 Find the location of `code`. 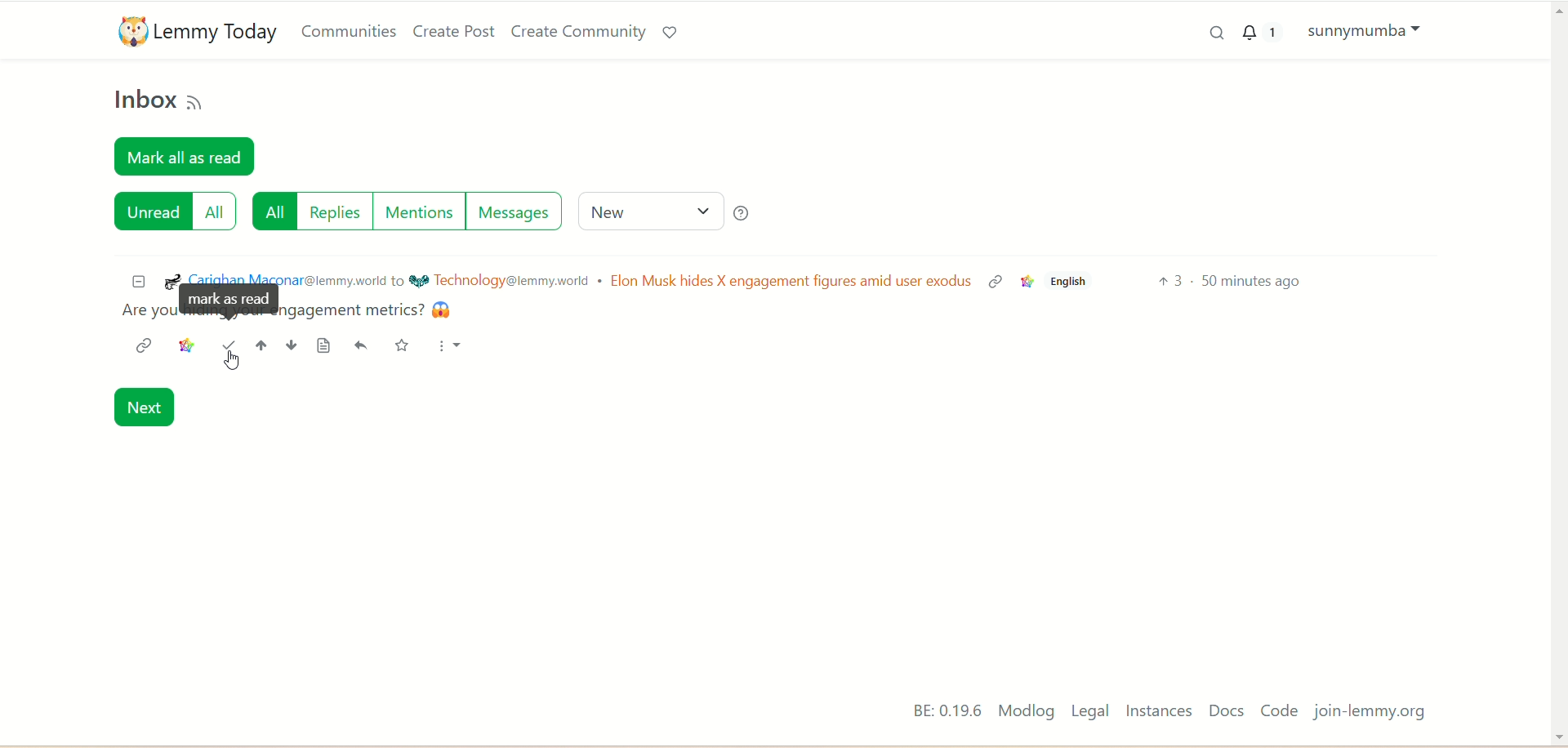

code is located at coordinates (1283, 712).